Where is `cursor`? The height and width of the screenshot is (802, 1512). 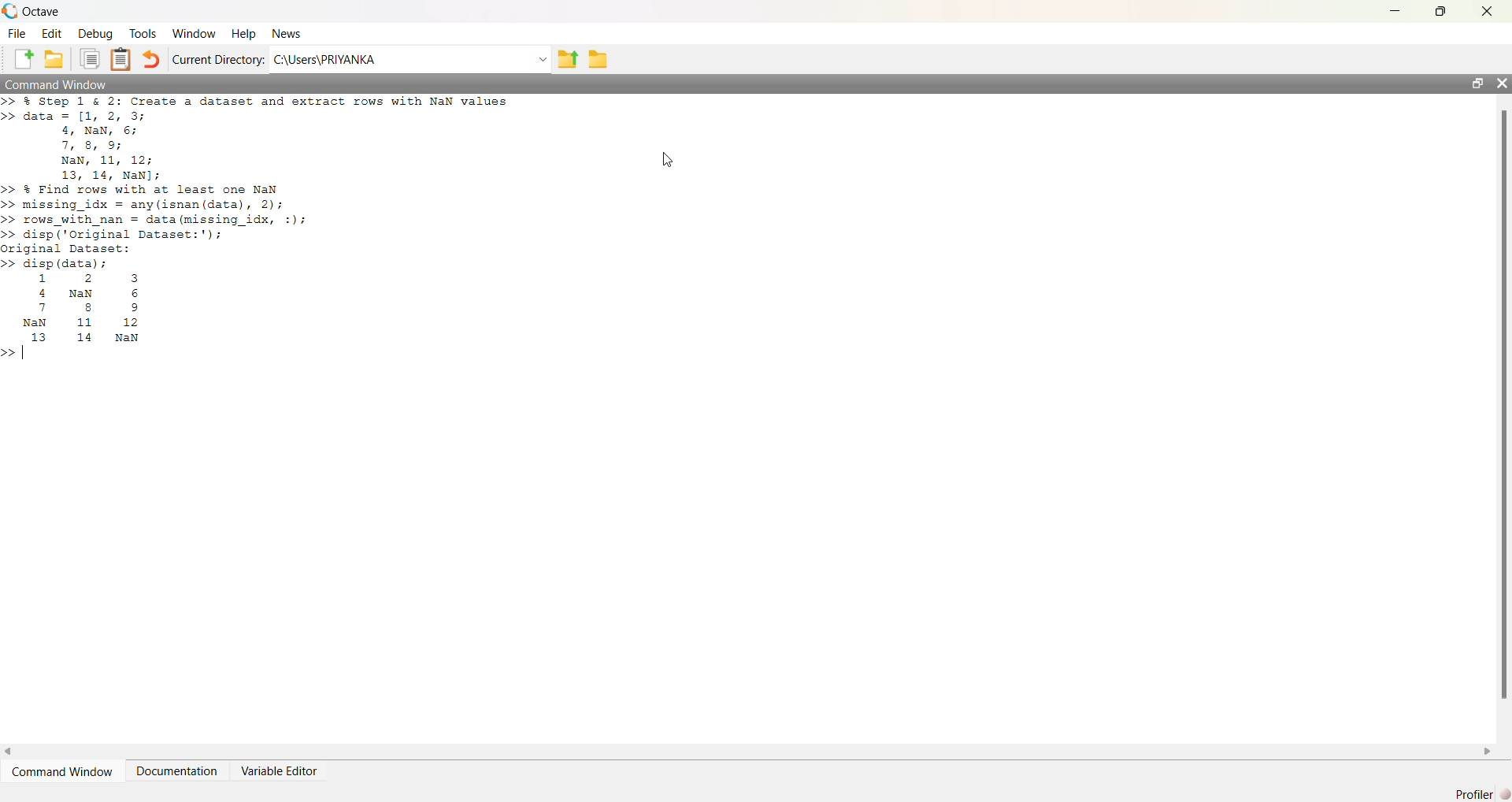
cursor is located at coordinates (669, 160).